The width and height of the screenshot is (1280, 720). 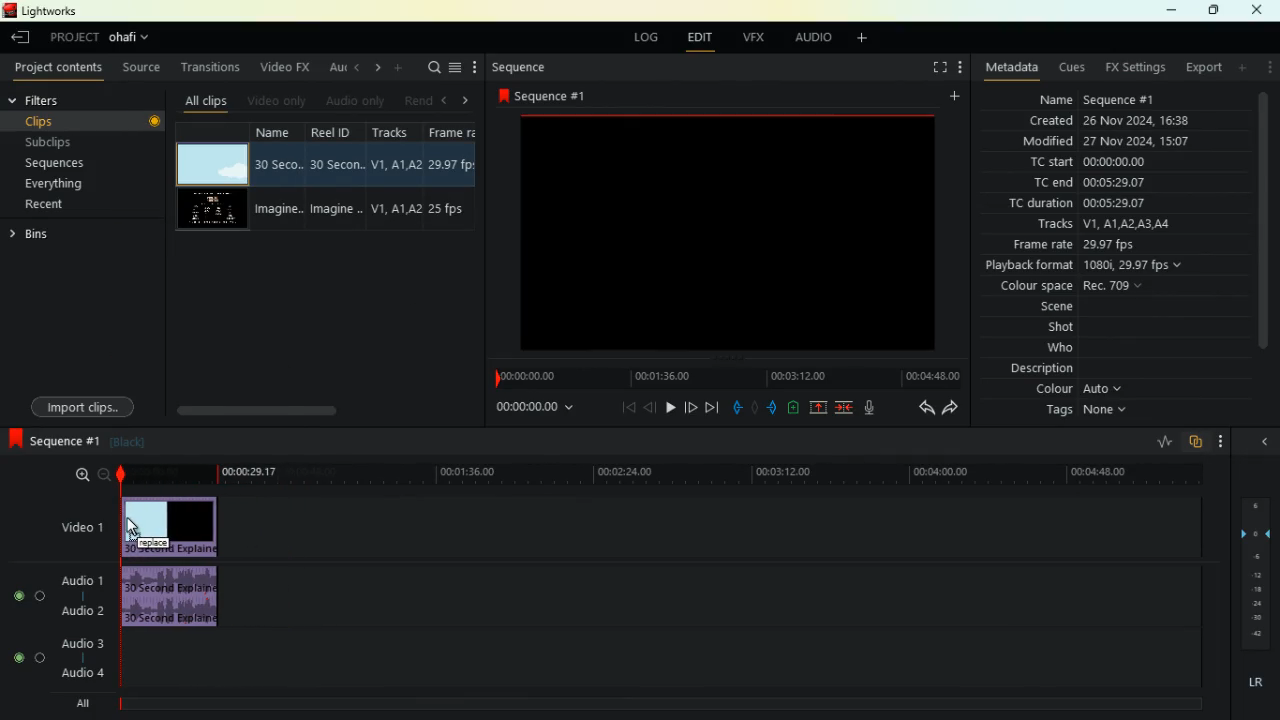 I want to click on project contents, so click(x=61, y=68).